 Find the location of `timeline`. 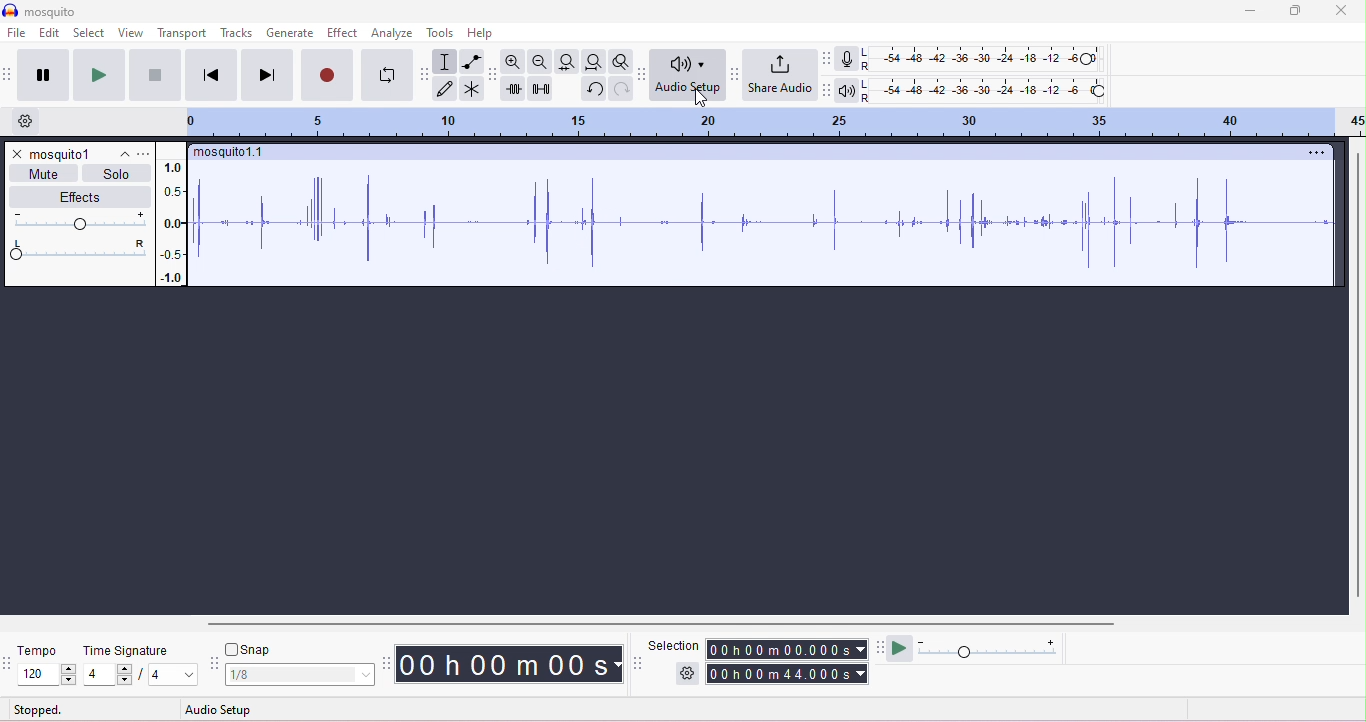

timeline is located at coordinates (772, 123).